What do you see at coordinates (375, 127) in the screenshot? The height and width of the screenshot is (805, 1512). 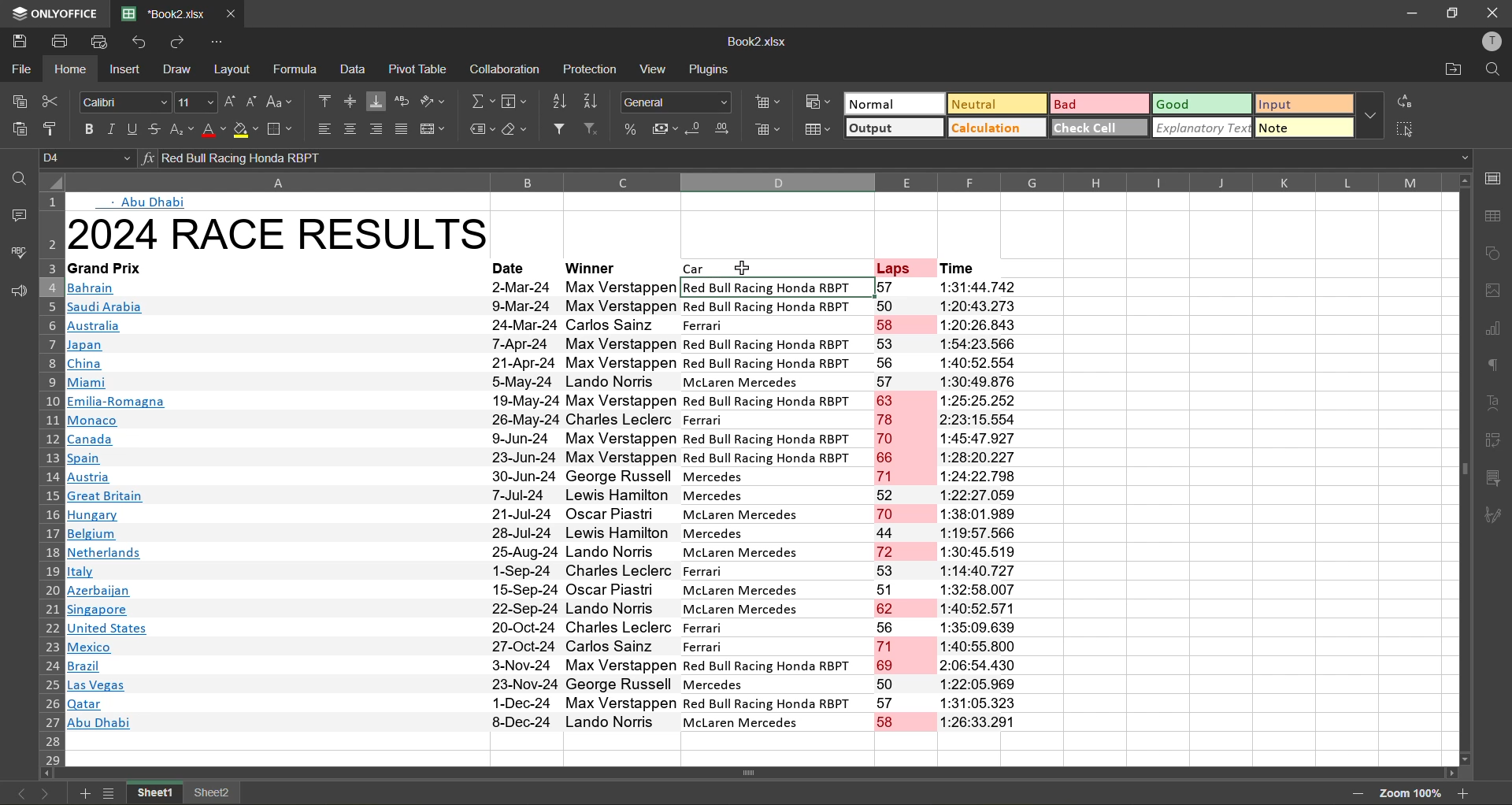 I see `align right` at bounding box center [375, 127].